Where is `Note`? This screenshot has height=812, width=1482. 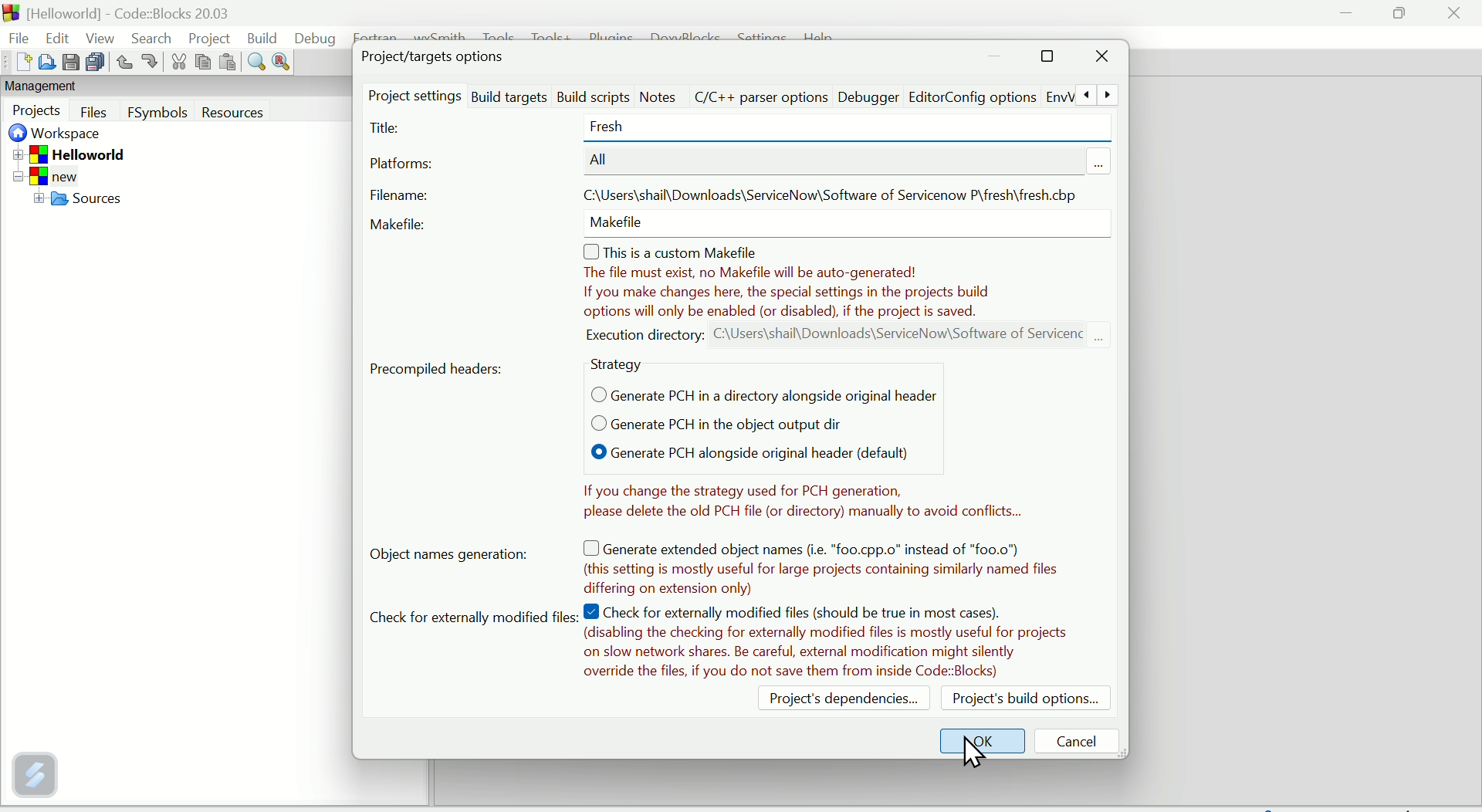 Note is located at coordinates (827, 643).